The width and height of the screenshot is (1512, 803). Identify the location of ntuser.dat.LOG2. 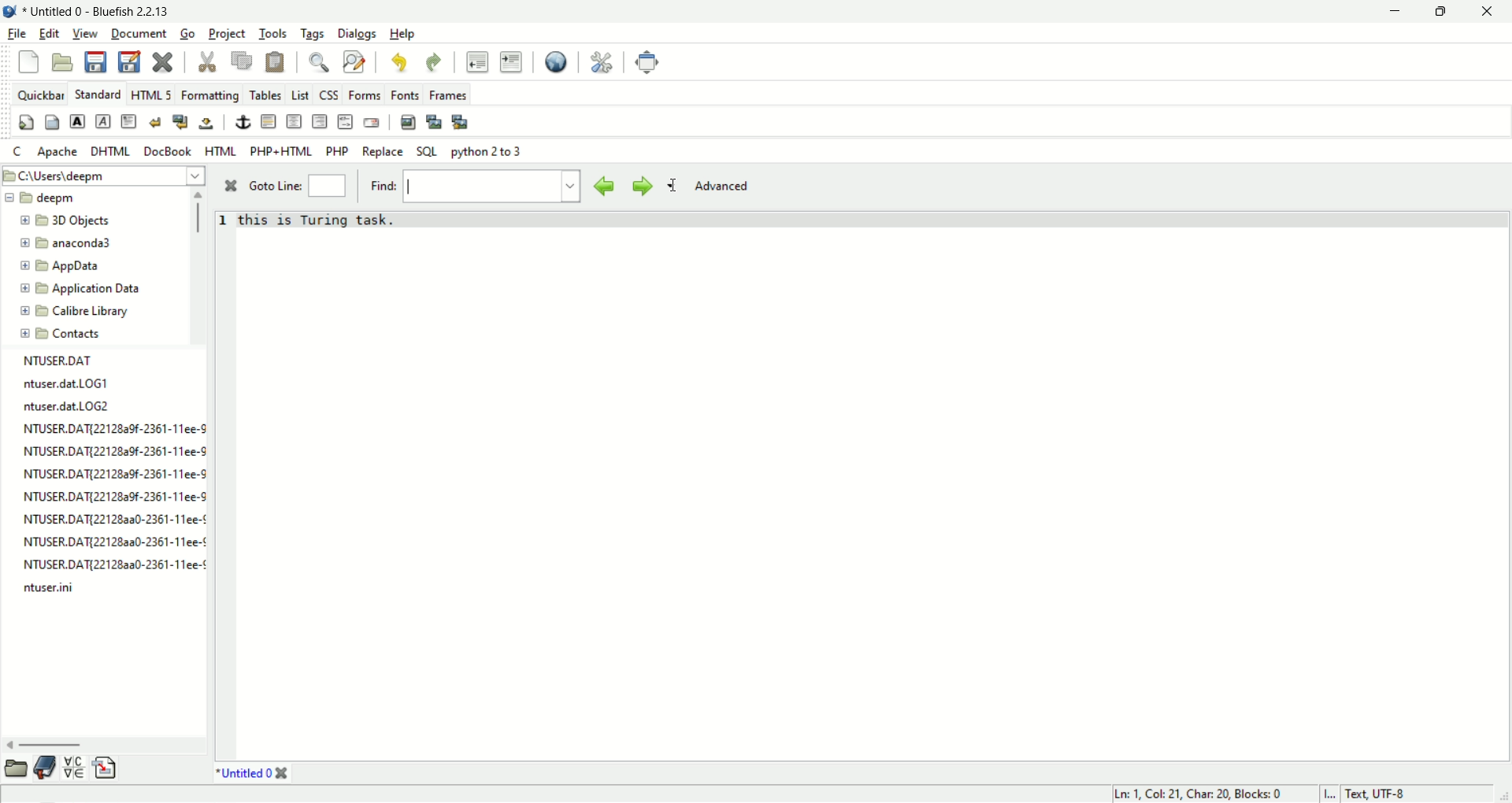
(62, 409).